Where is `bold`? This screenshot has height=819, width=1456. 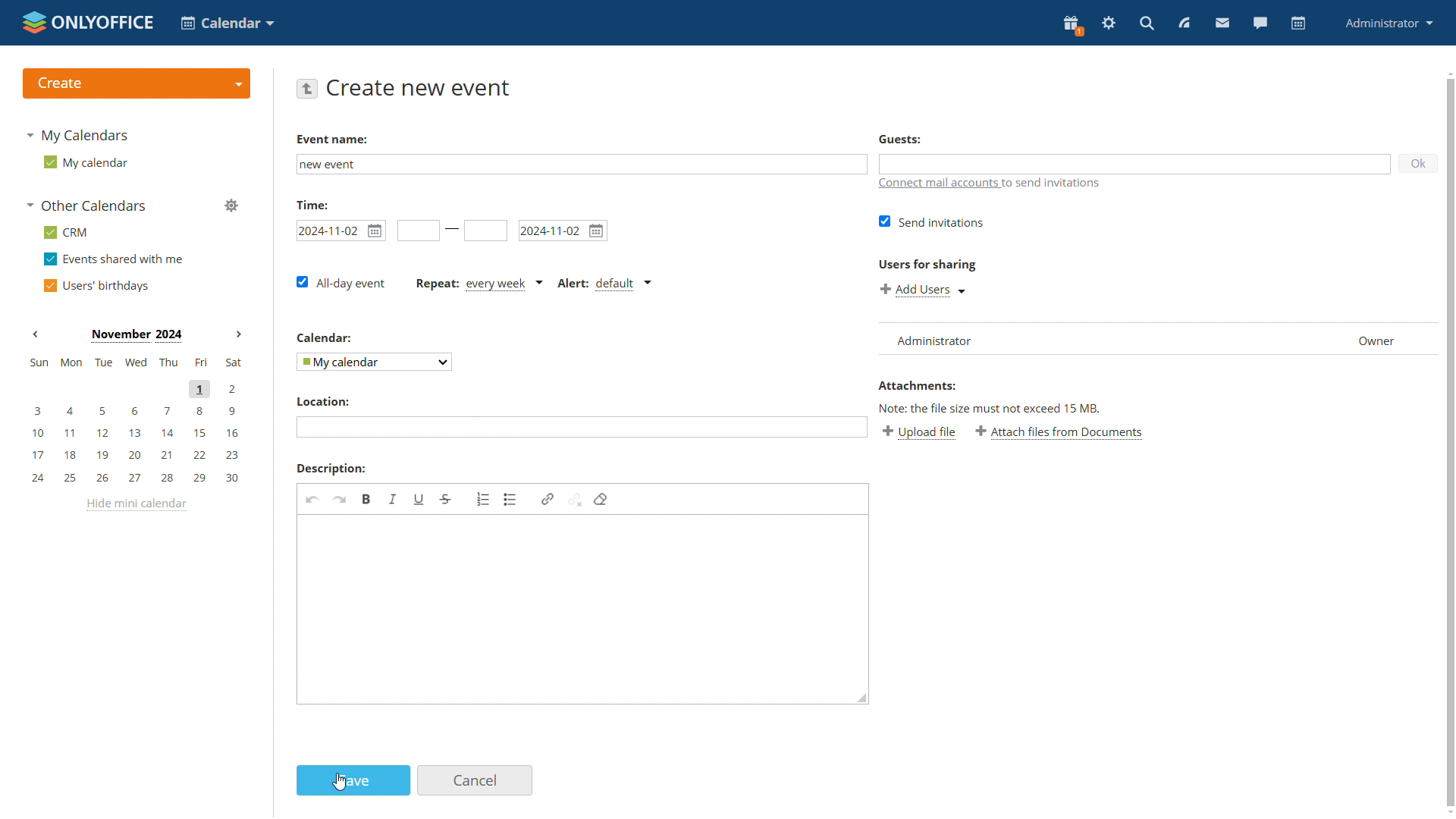
bold is located at coordinates (368, 499).